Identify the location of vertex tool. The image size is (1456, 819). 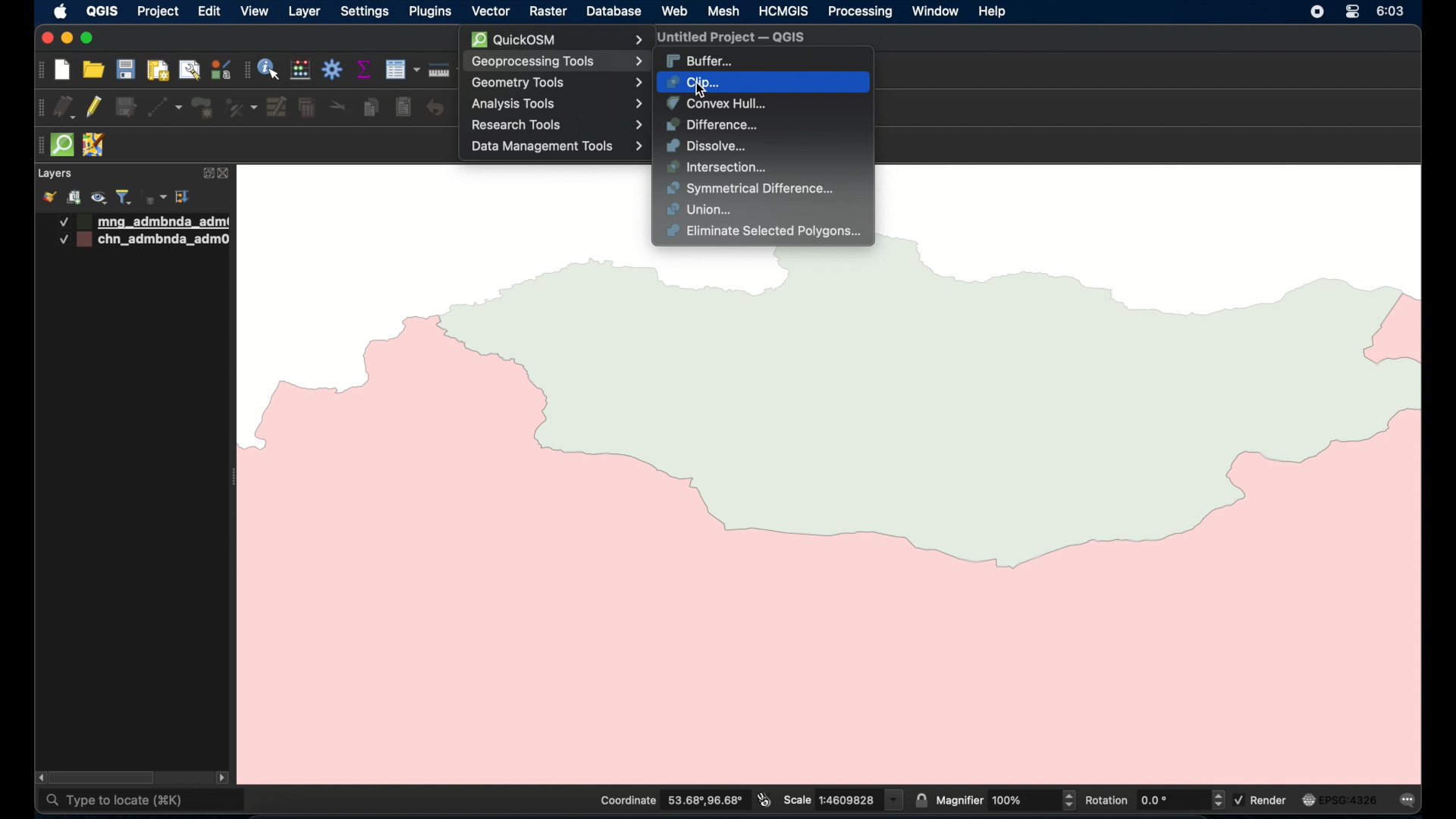
(241, 108).